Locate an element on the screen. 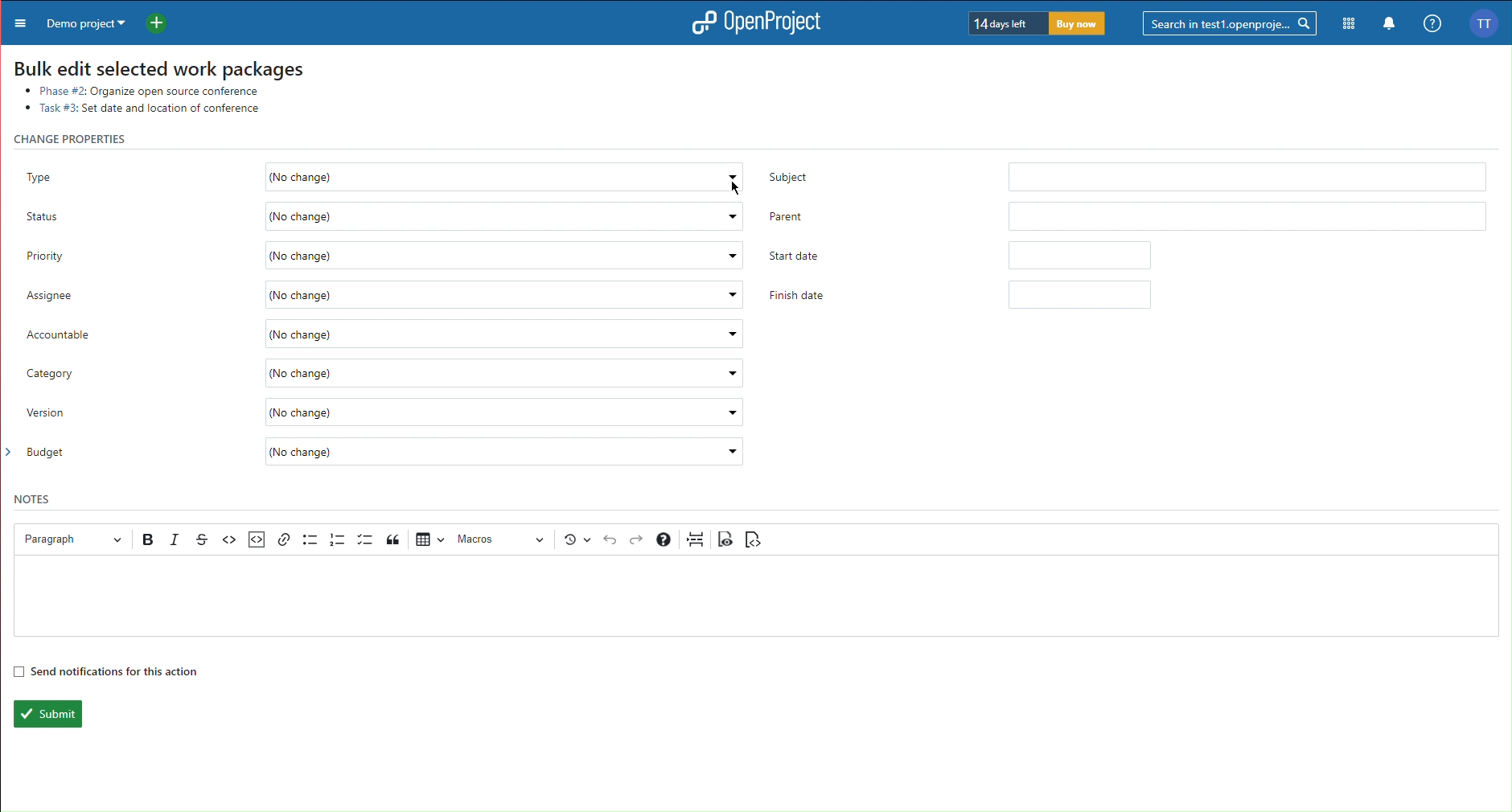 Image resolution: width=1512 pixels, height=812 pixels. Help is located at coordinates (1431, 24).